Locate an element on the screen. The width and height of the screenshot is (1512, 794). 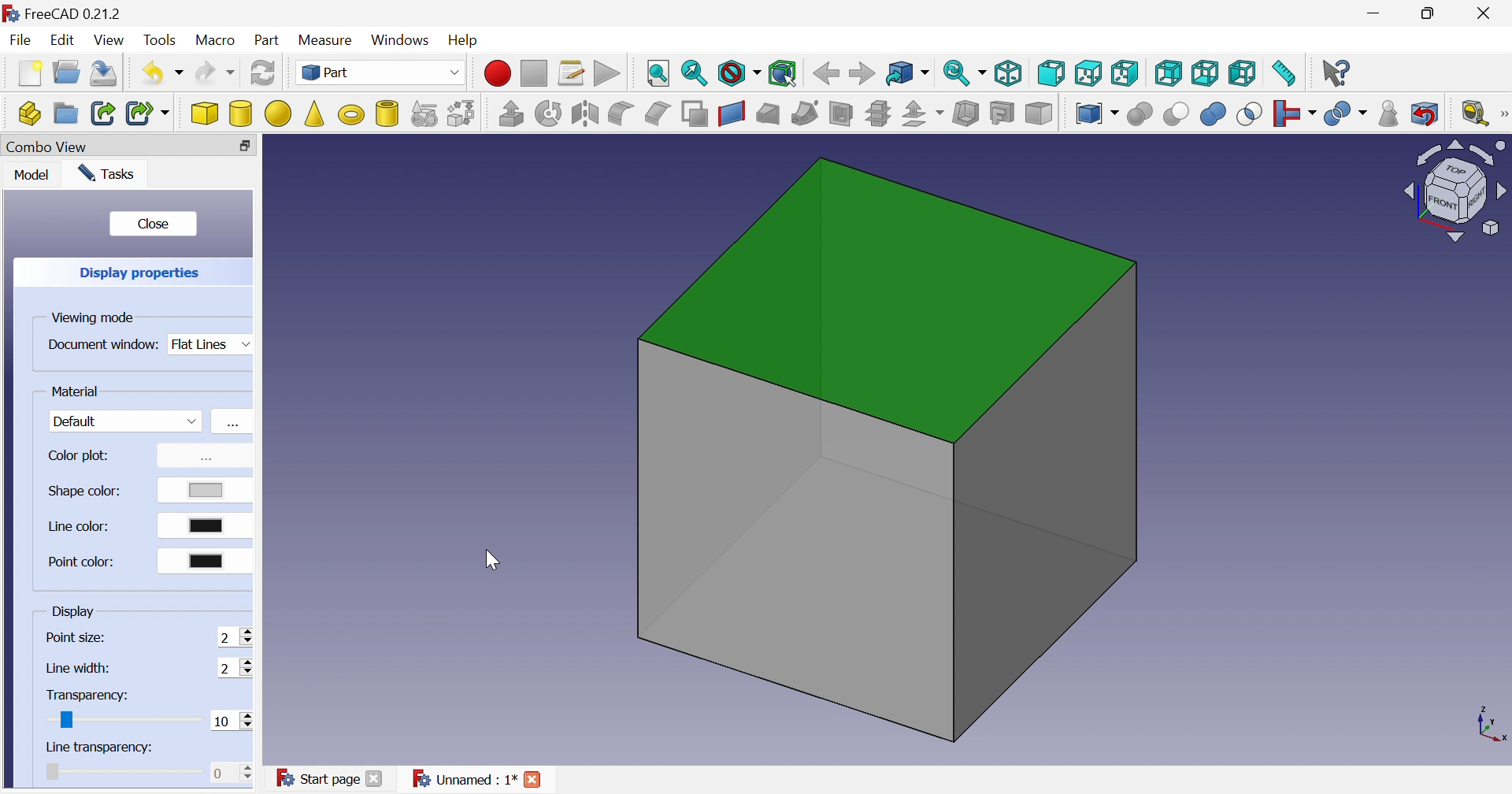
Stop macro recording is located at coordinates (536, 74).